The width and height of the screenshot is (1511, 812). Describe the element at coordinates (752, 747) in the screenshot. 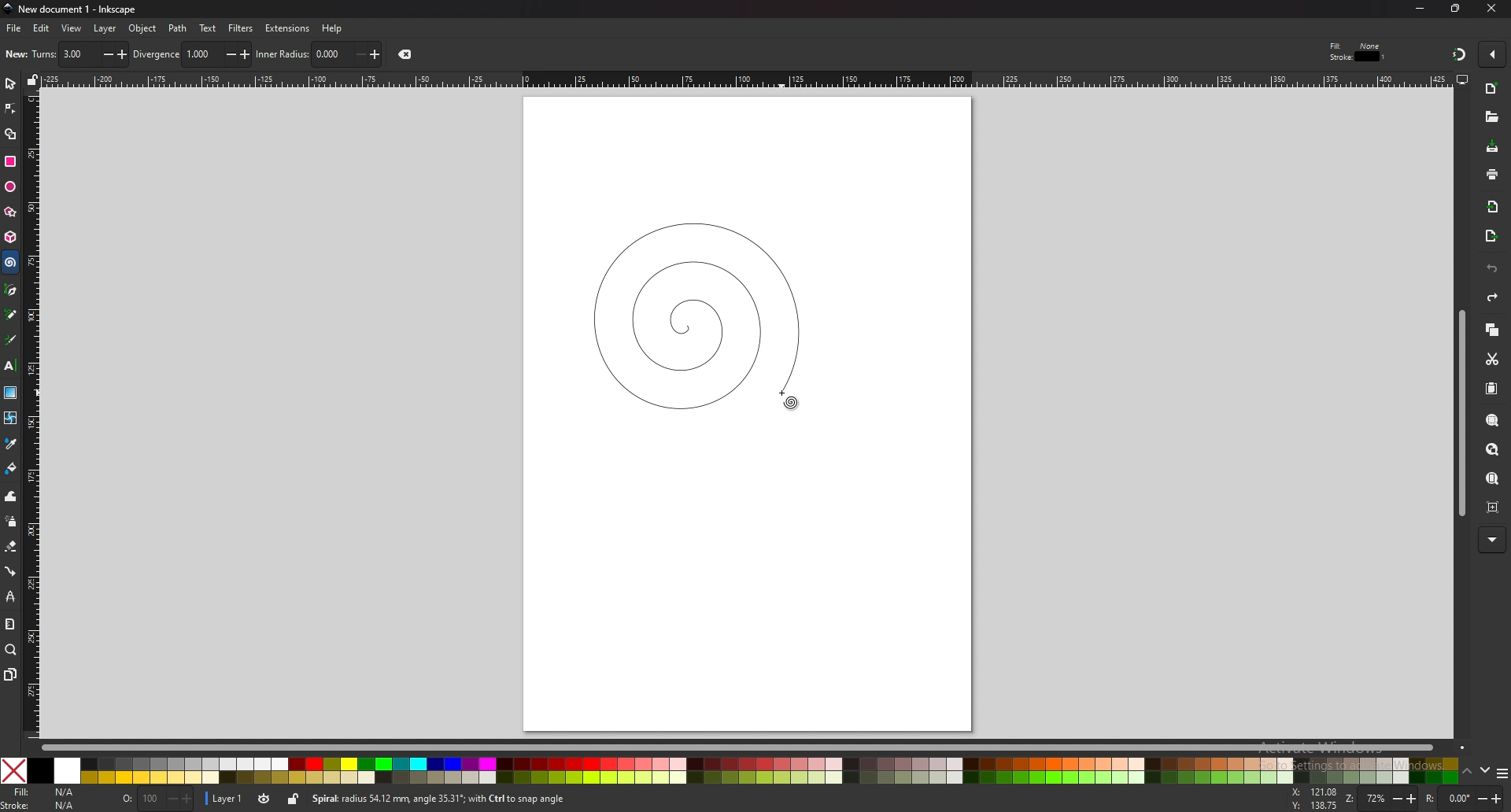

I see `scroll bar` at that location.